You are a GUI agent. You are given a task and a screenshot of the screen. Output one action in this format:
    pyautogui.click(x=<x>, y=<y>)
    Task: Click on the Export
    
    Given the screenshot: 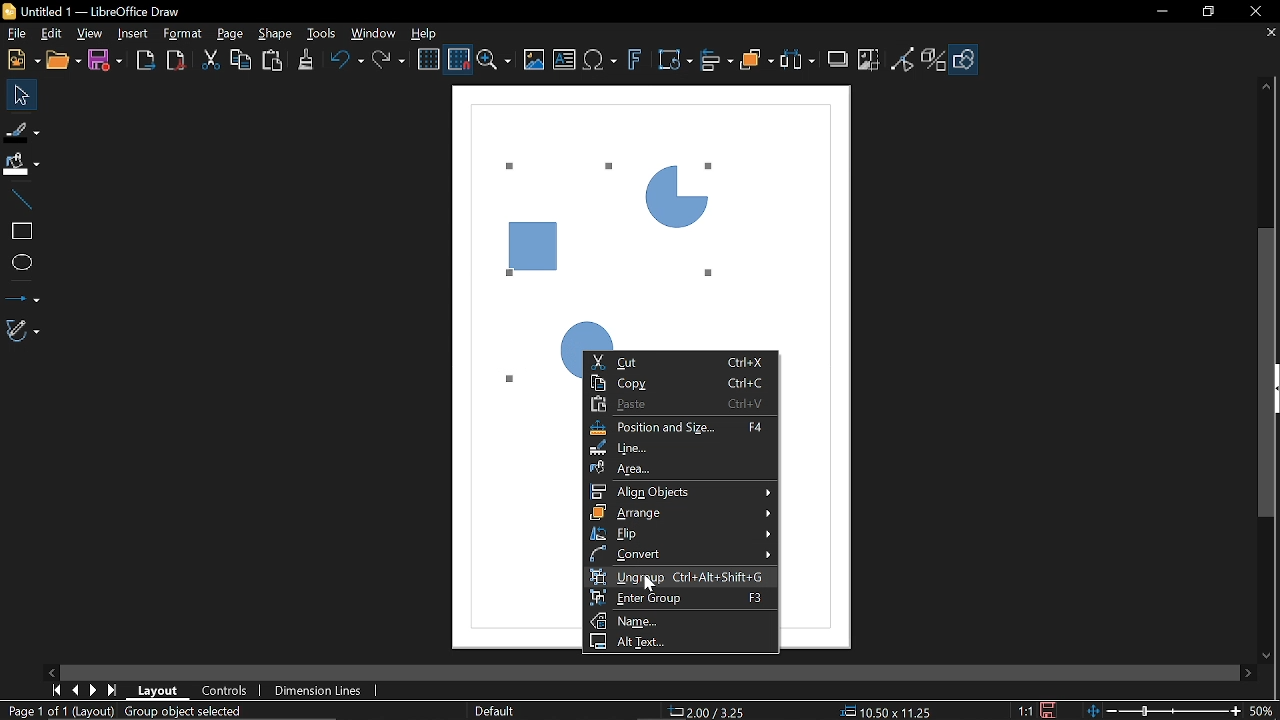 What is the action you would take?
    pyautogui.click(x=146, y=61)
    